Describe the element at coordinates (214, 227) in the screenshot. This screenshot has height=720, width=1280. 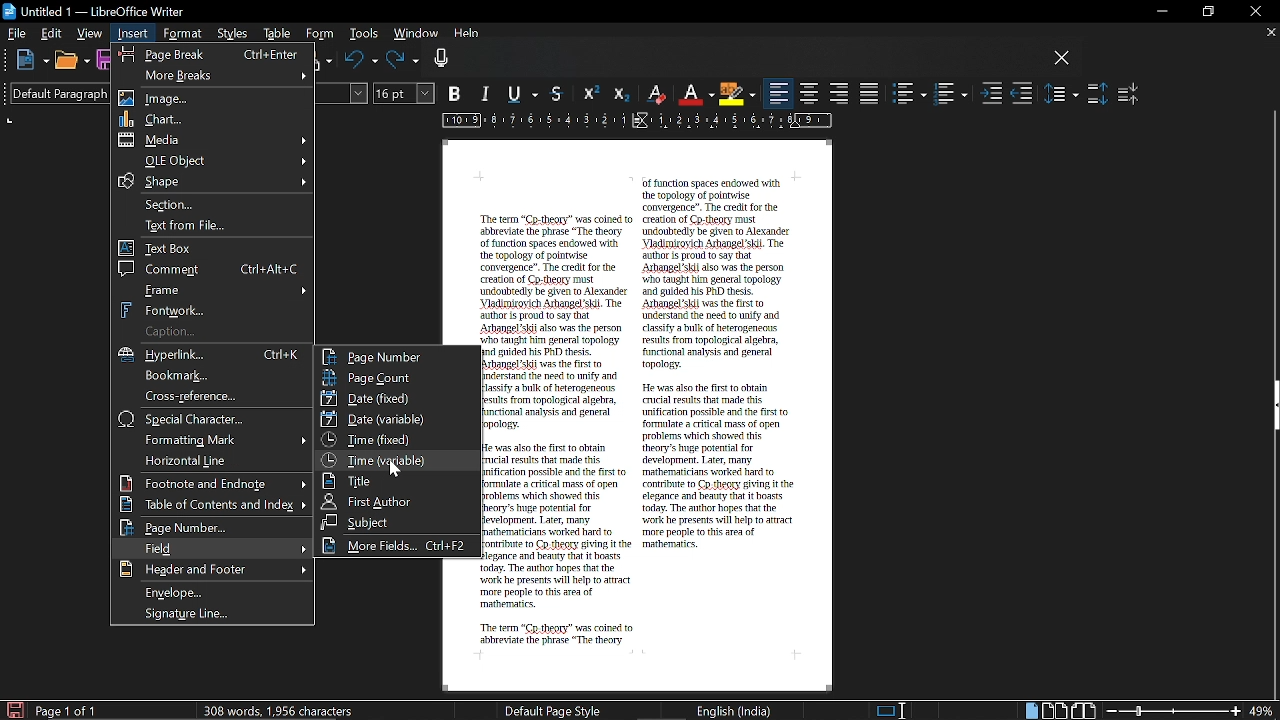
I see `text from file` at that location.